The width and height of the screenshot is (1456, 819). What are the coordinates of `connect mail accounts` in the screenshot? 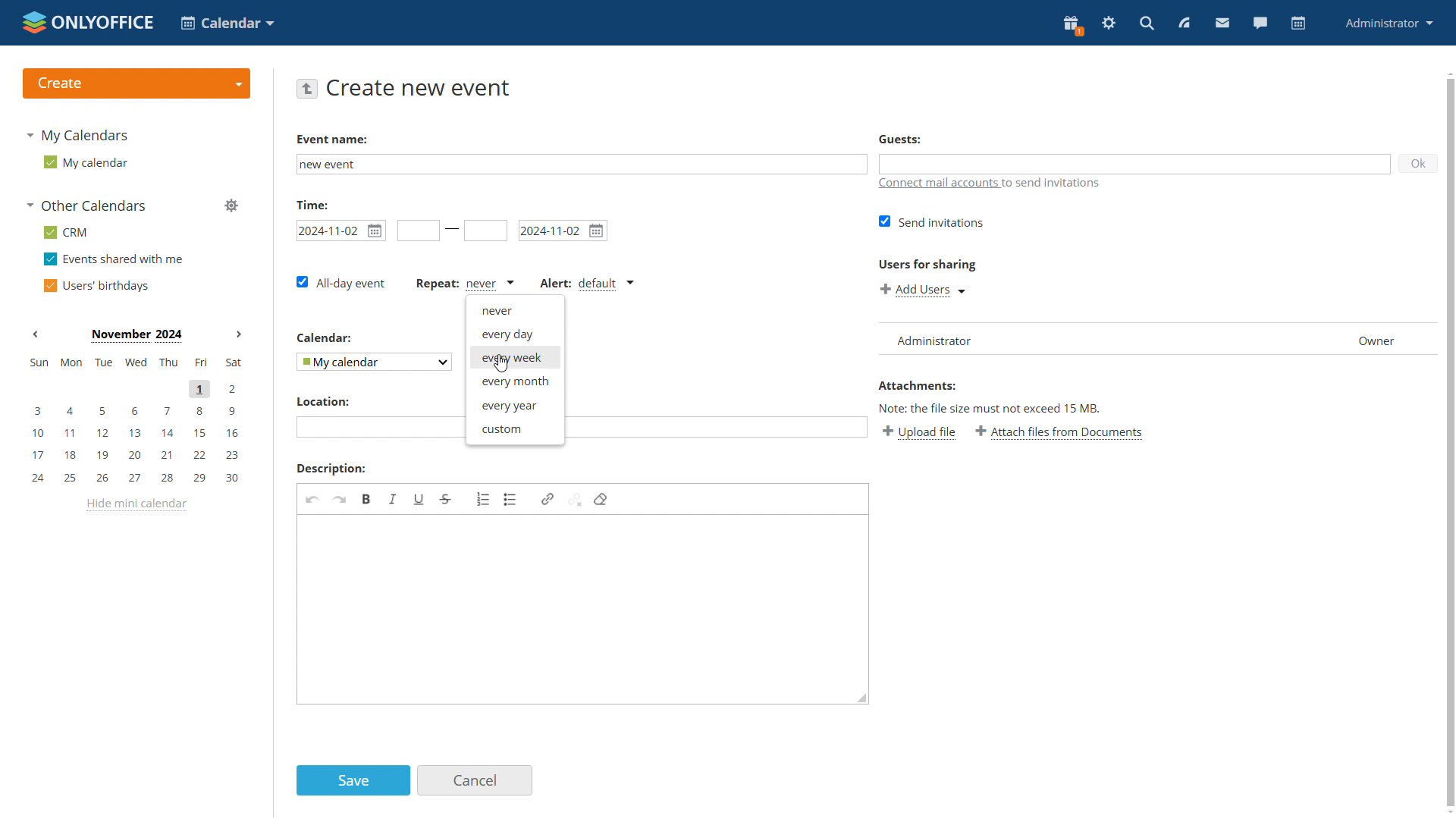 It's located at (990, 184).